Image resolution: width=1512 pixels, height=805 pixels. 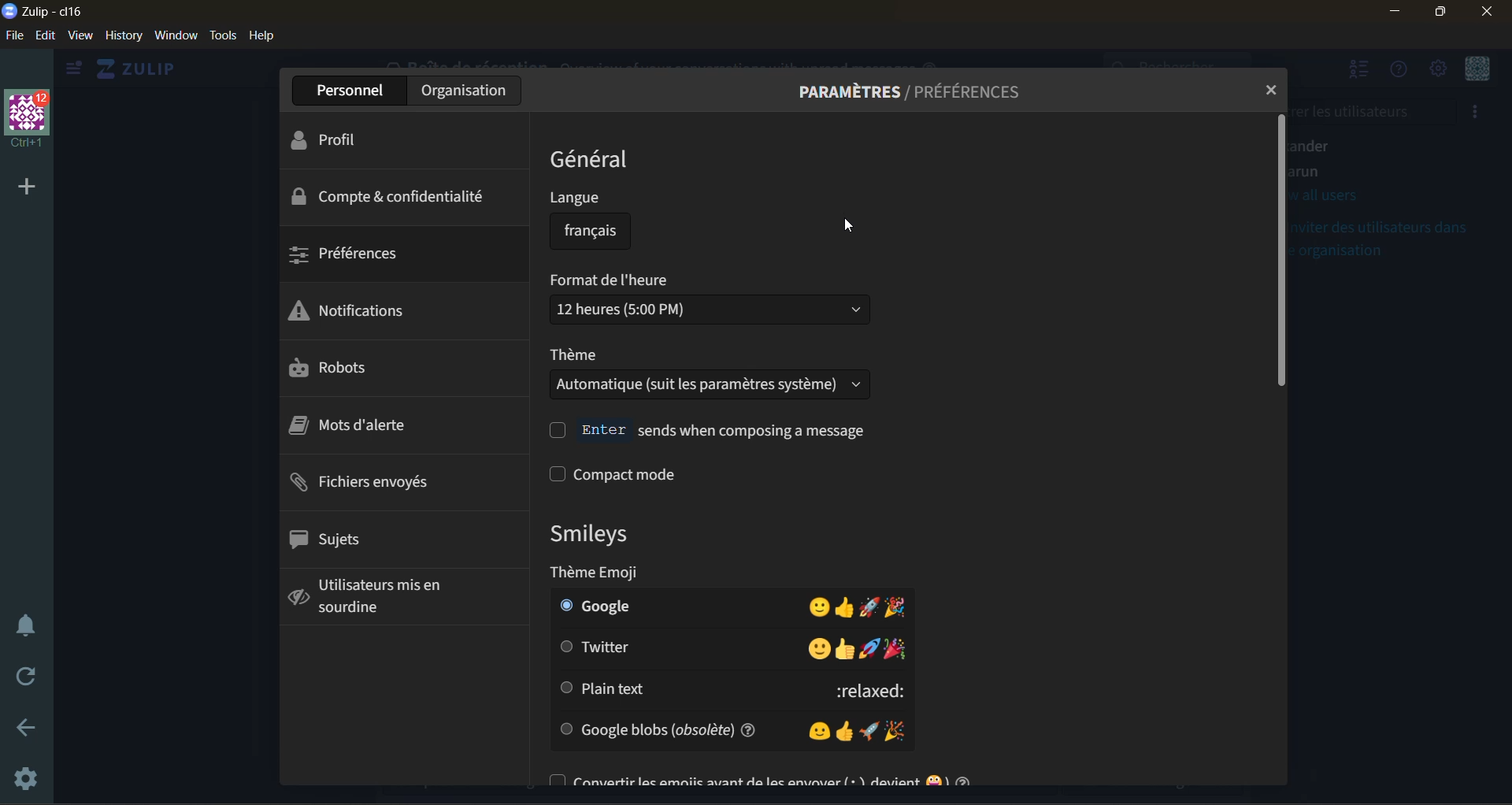 I want to click on view, so click(x=83, y=37).